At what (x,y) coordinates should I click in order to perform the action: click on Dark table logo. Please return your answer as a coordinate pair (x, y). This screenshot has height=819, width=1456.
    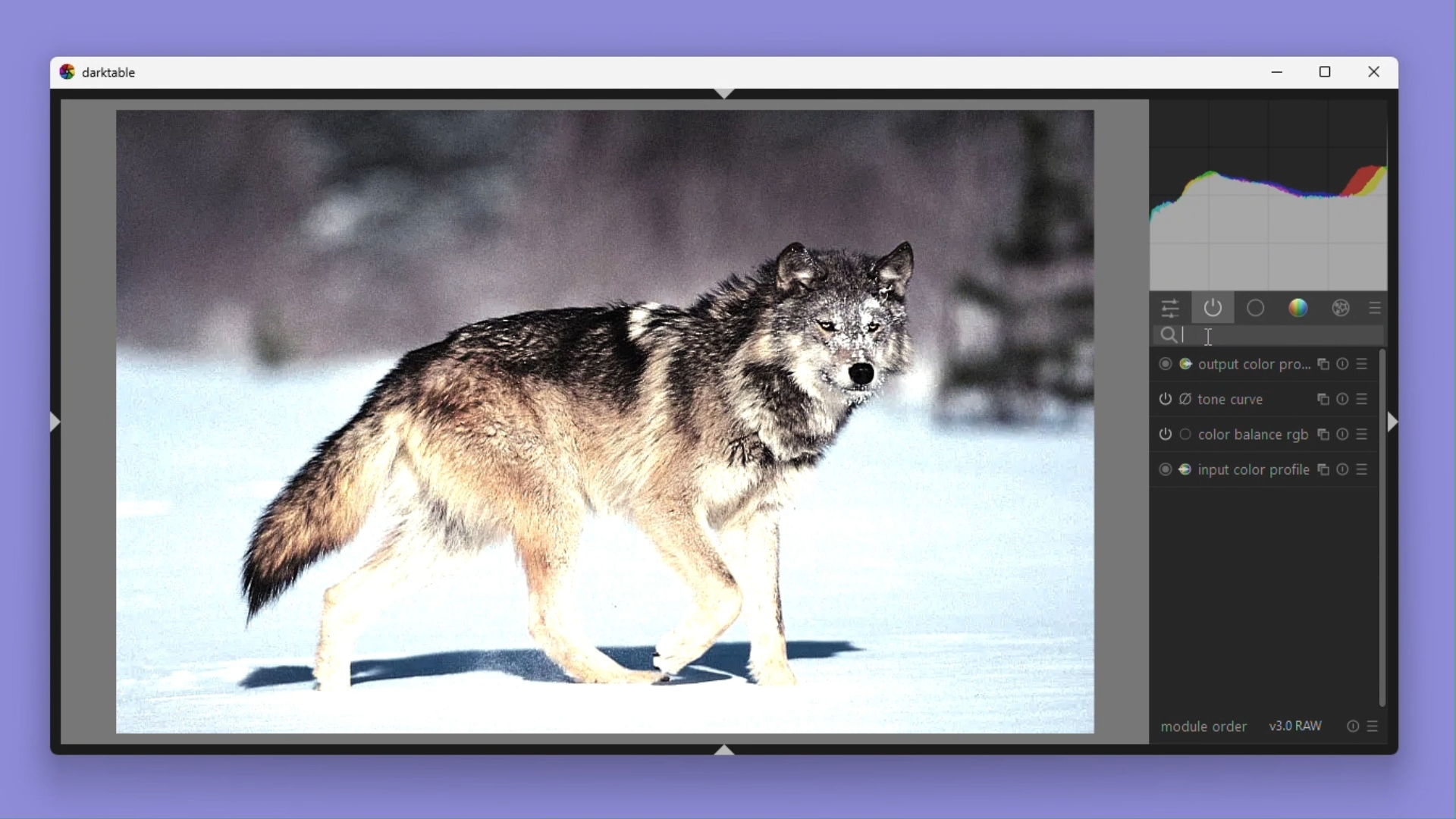
    Looking at the image, I should click on (110, 71).